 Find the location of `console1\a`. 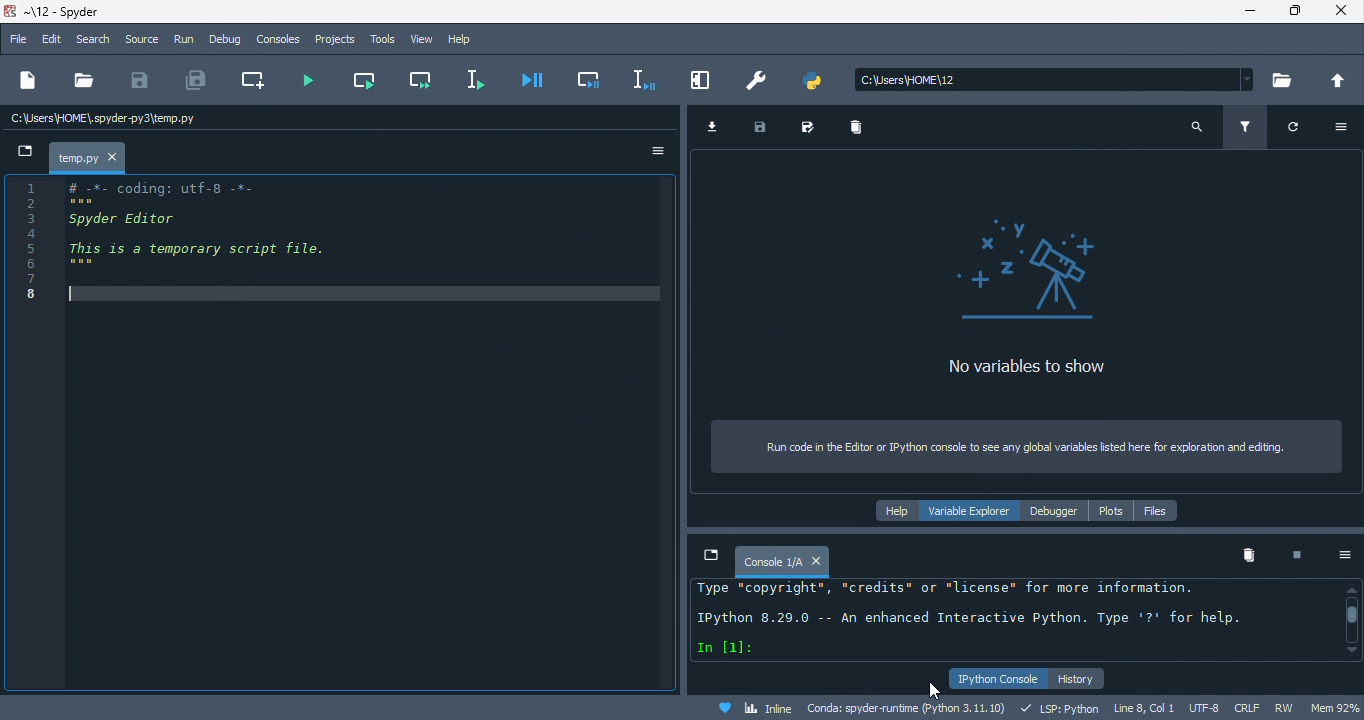

console1\a is located at coordinates (774, 559).